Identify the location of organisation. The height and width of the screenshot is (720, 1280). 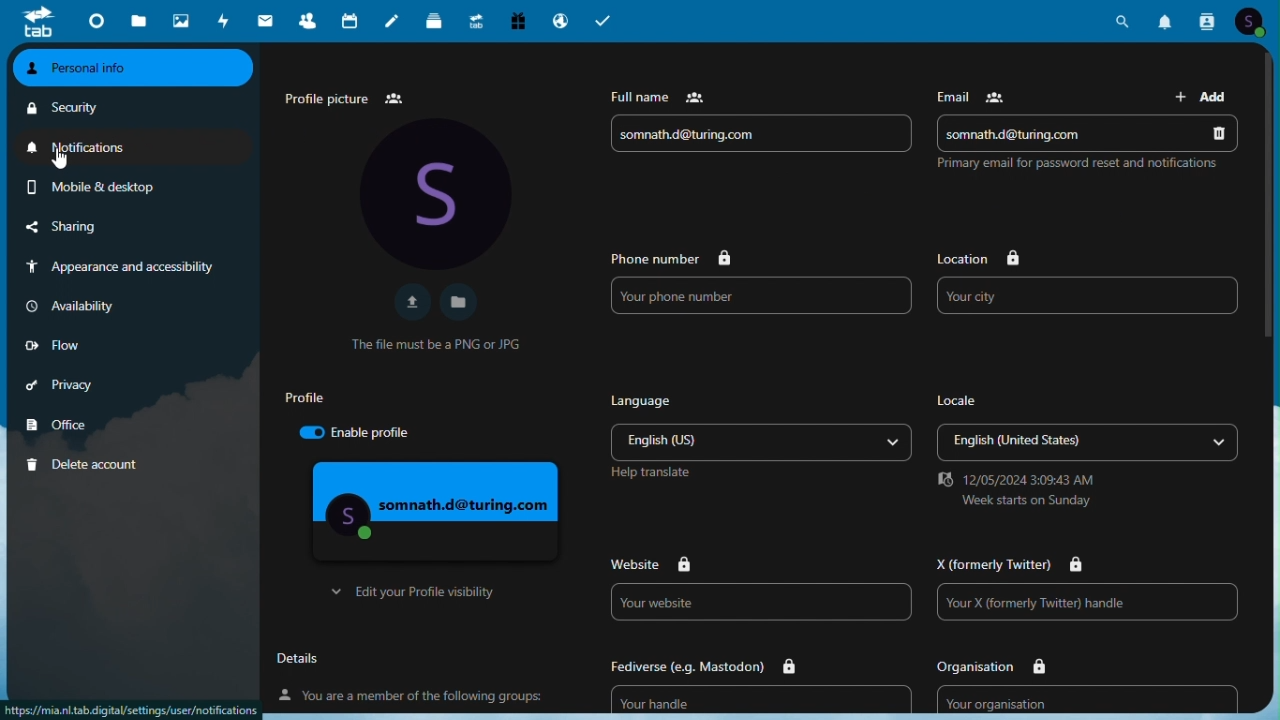
(1088, 667).